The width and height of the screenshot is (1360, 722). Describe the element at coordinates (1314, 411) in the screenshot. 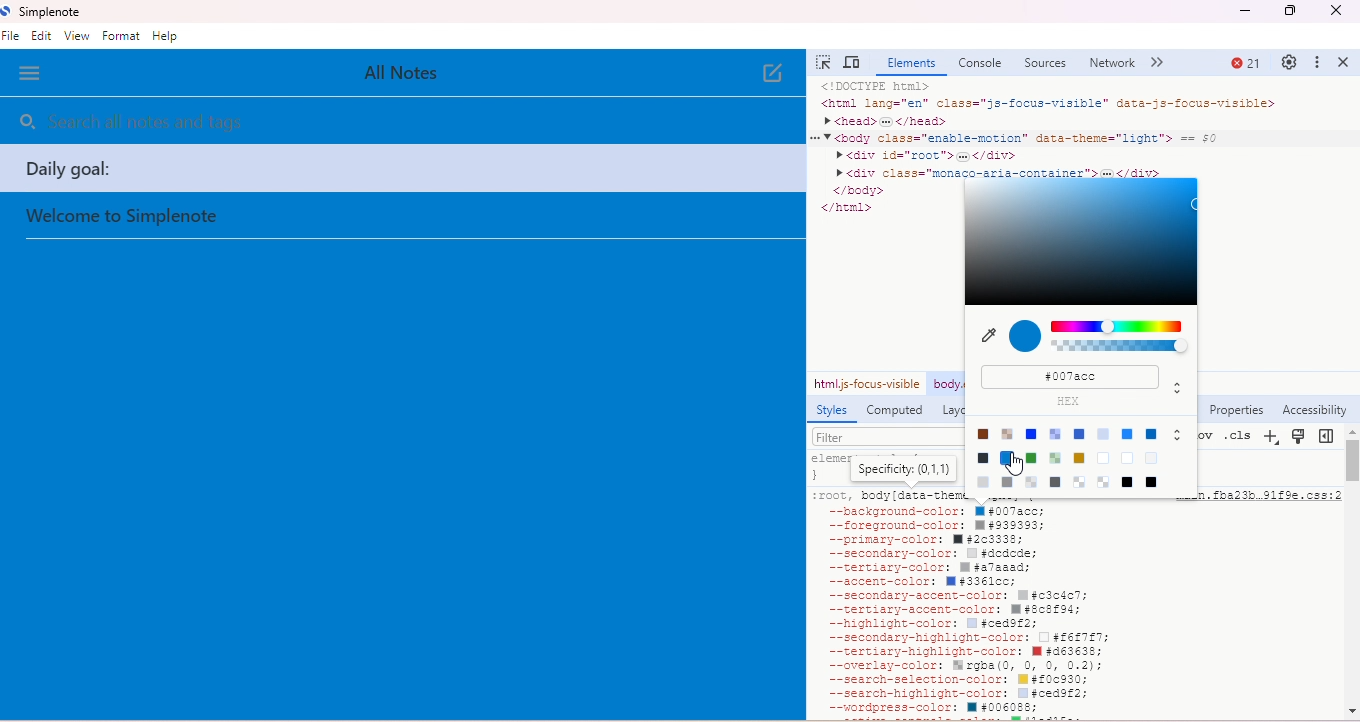

I see `acessibility` at that location.